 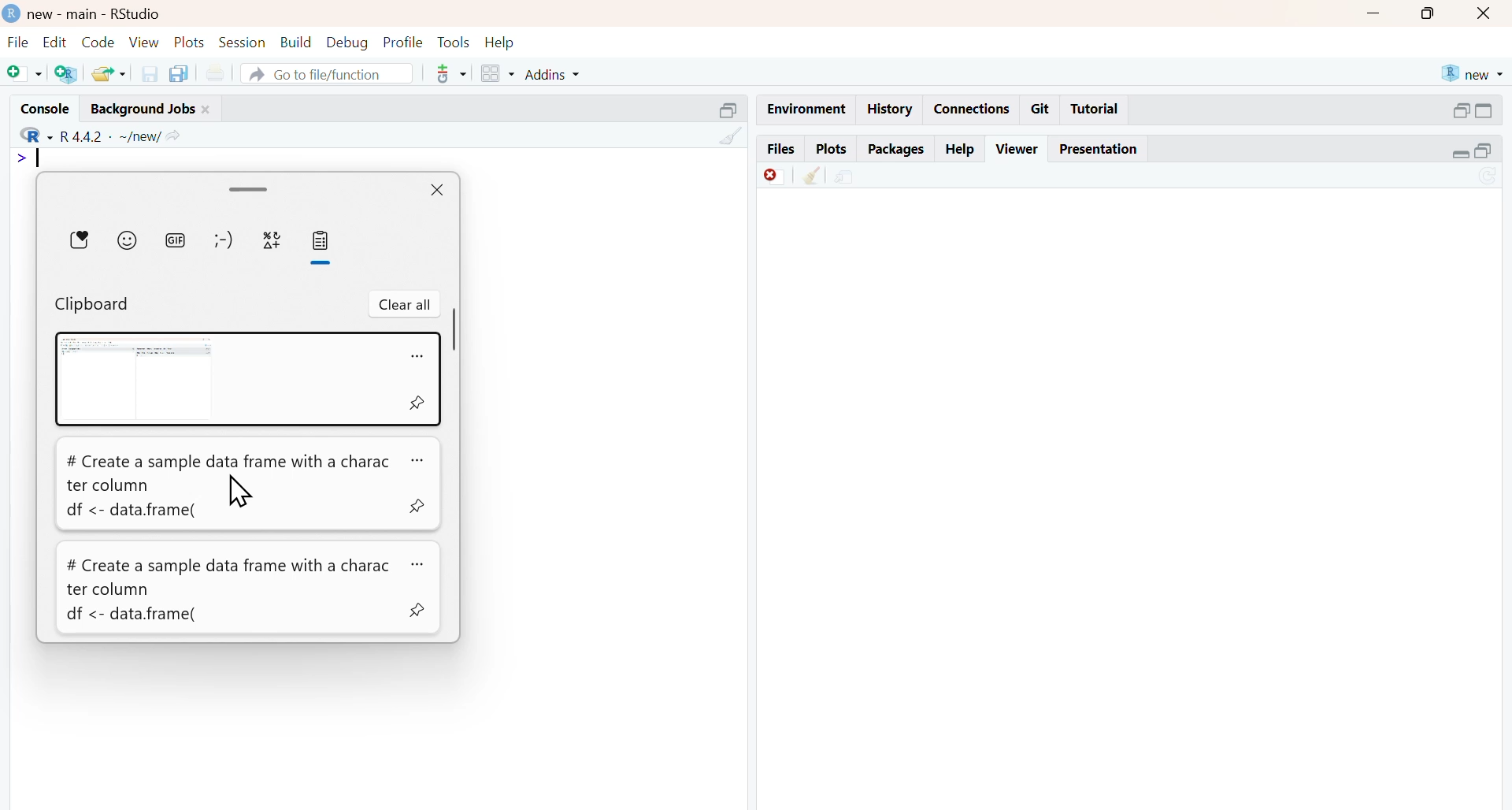 I want to click on console, so click(x=46, y=110).